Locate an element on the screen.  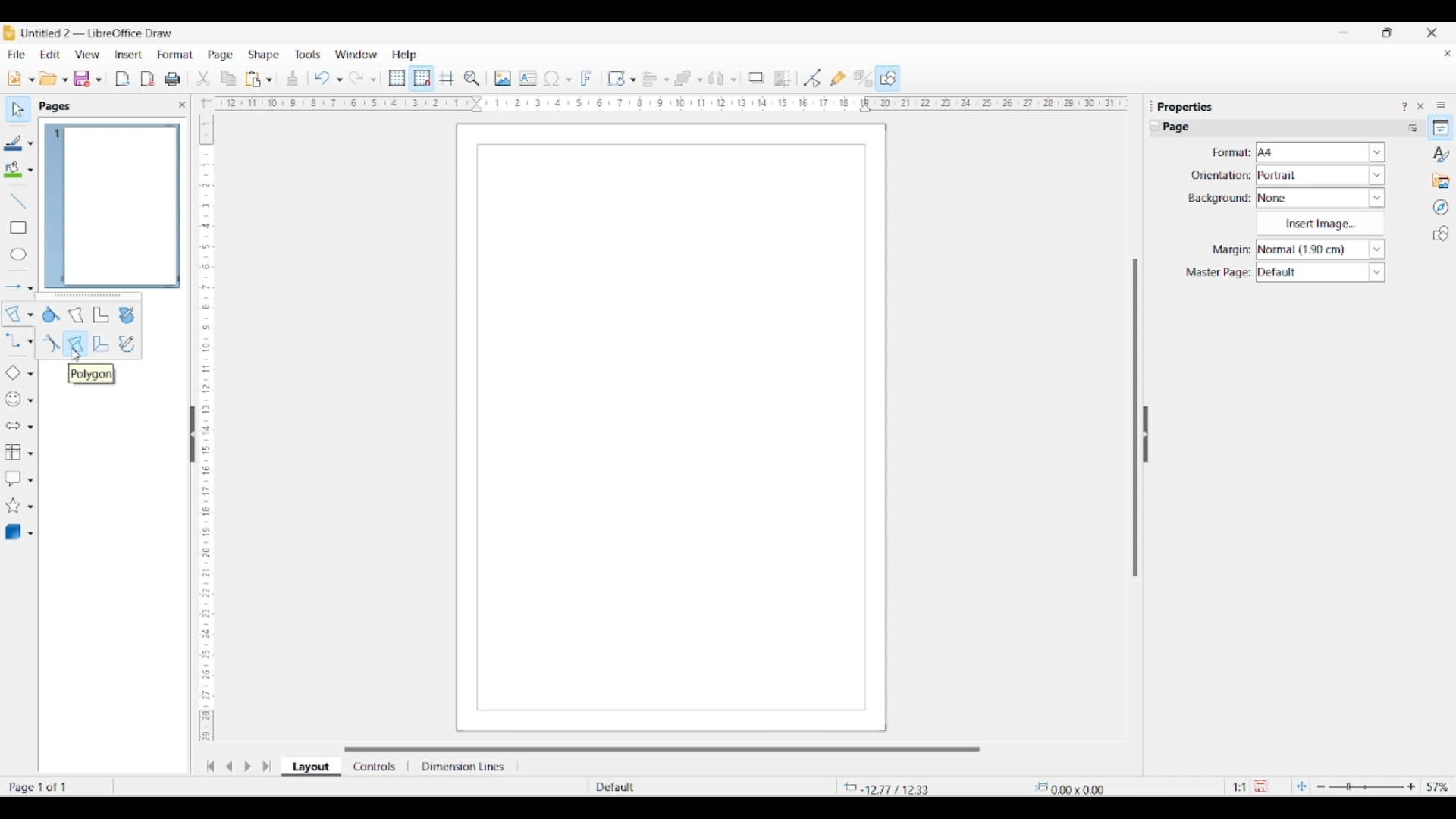
Connector options is located at coordinates (30, 341).